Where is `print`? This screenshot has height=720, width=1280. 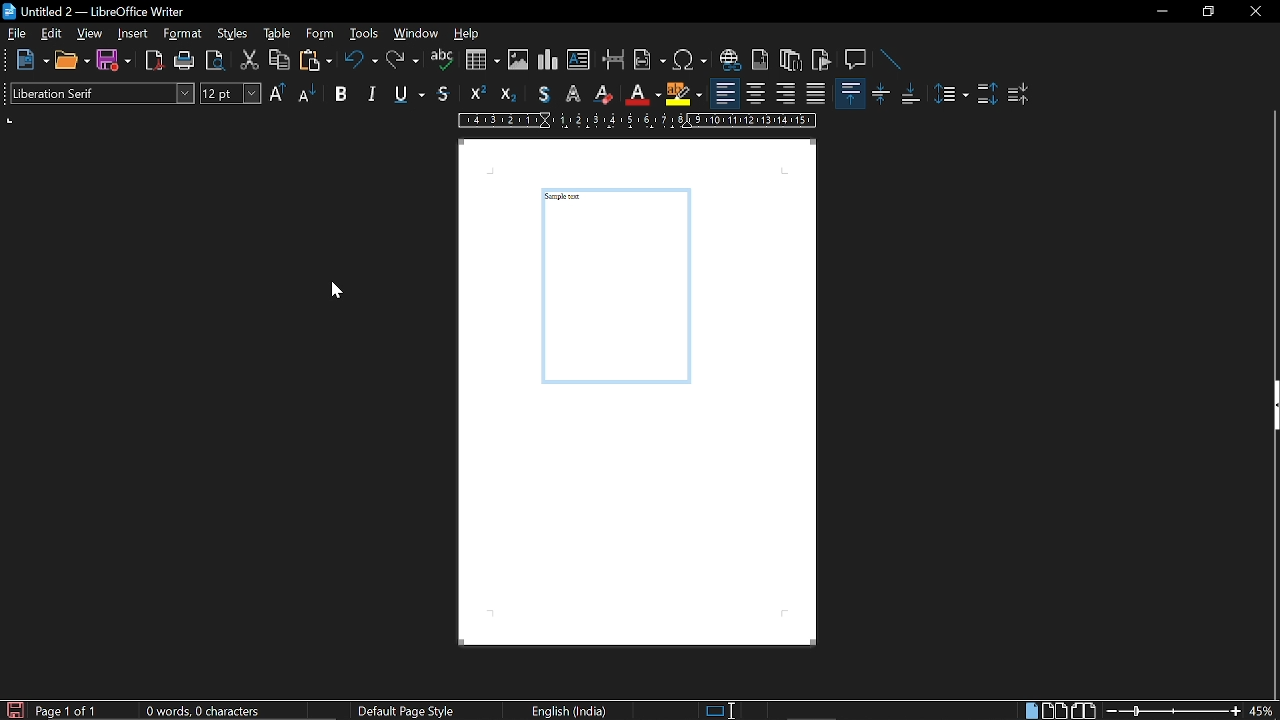 print is located at coordinates (182, 60).